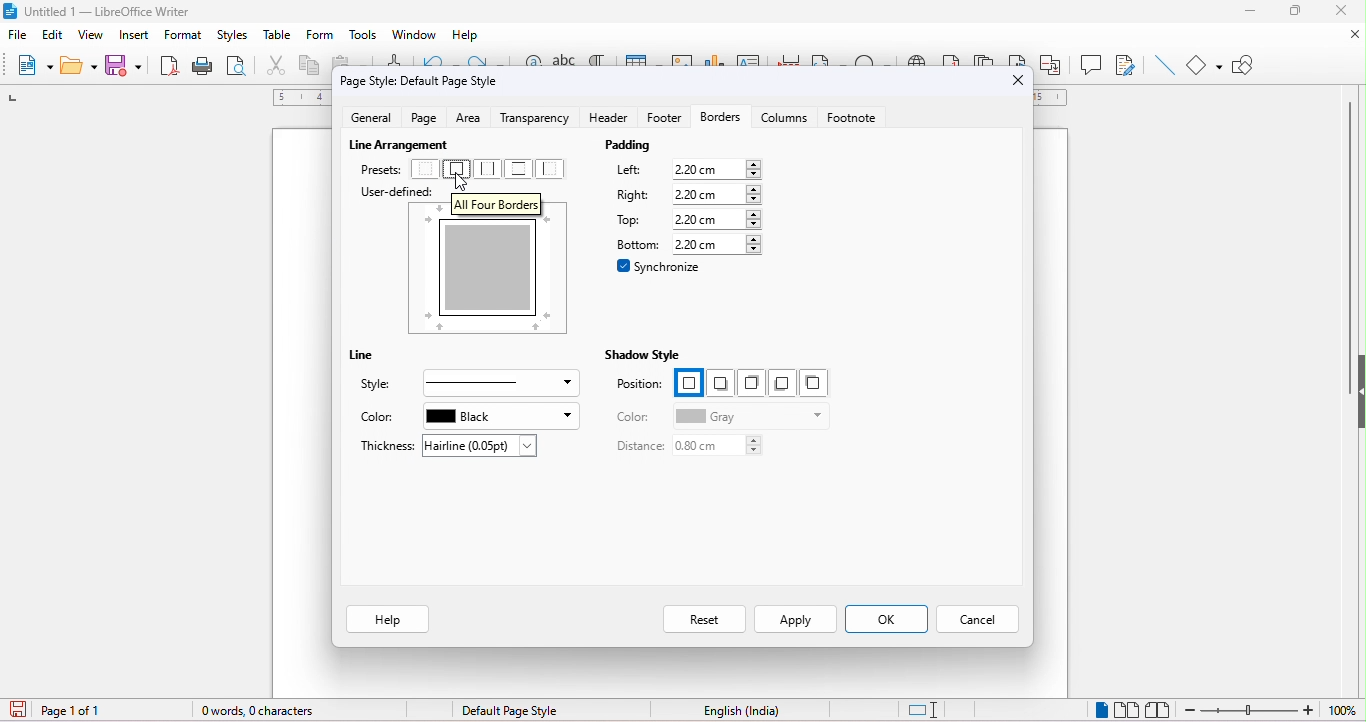  Describe the element at coordinates (388, 191) in the screenshot. I see `user defined` at that location.